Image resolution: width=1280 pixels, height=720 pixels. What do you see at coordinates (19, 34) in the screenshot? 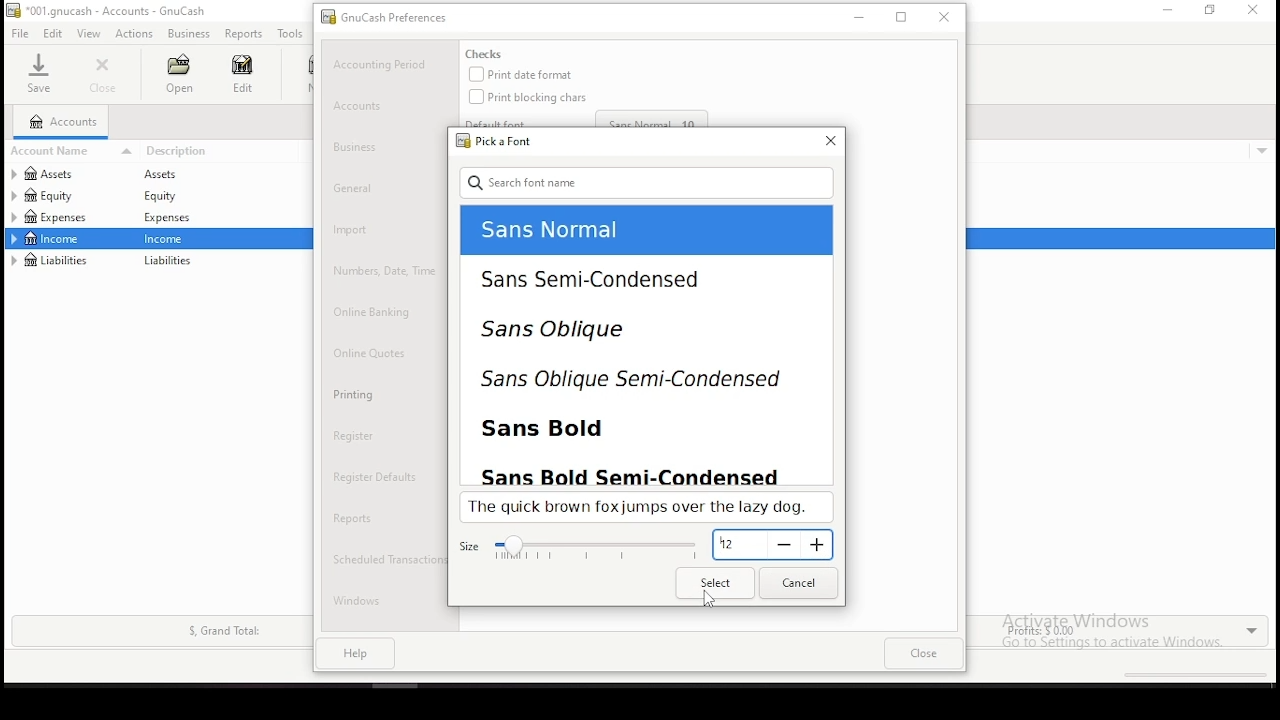
I see `file` at bounding box center [19, 34].